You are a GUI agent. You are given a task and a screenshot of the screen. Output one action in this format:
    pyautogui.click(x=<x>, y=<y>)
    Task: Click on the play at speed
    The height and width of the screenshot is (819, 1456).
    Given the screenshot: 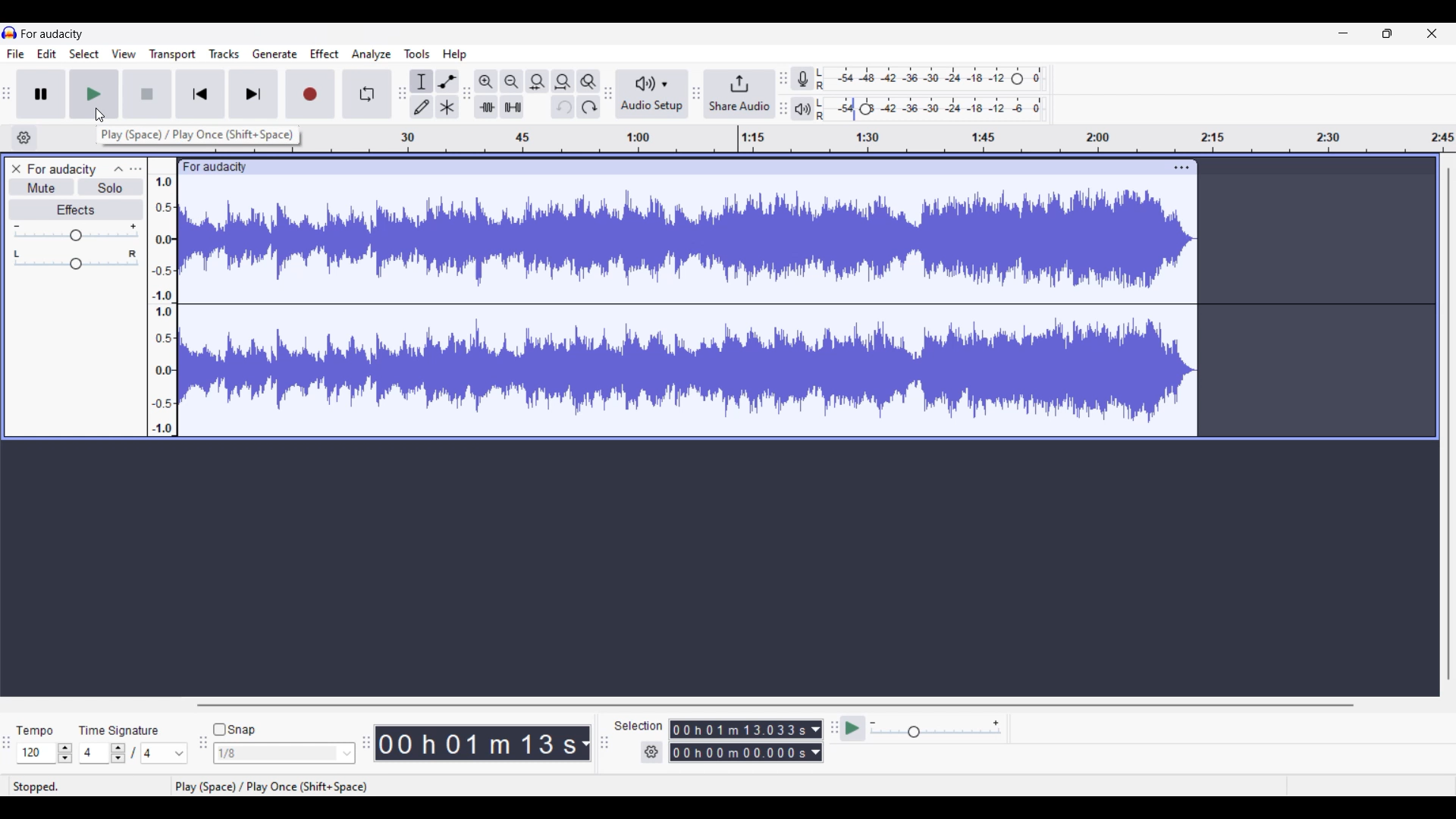 What is the action you would take?
    pyautogui.click(x=851, y=729)
    